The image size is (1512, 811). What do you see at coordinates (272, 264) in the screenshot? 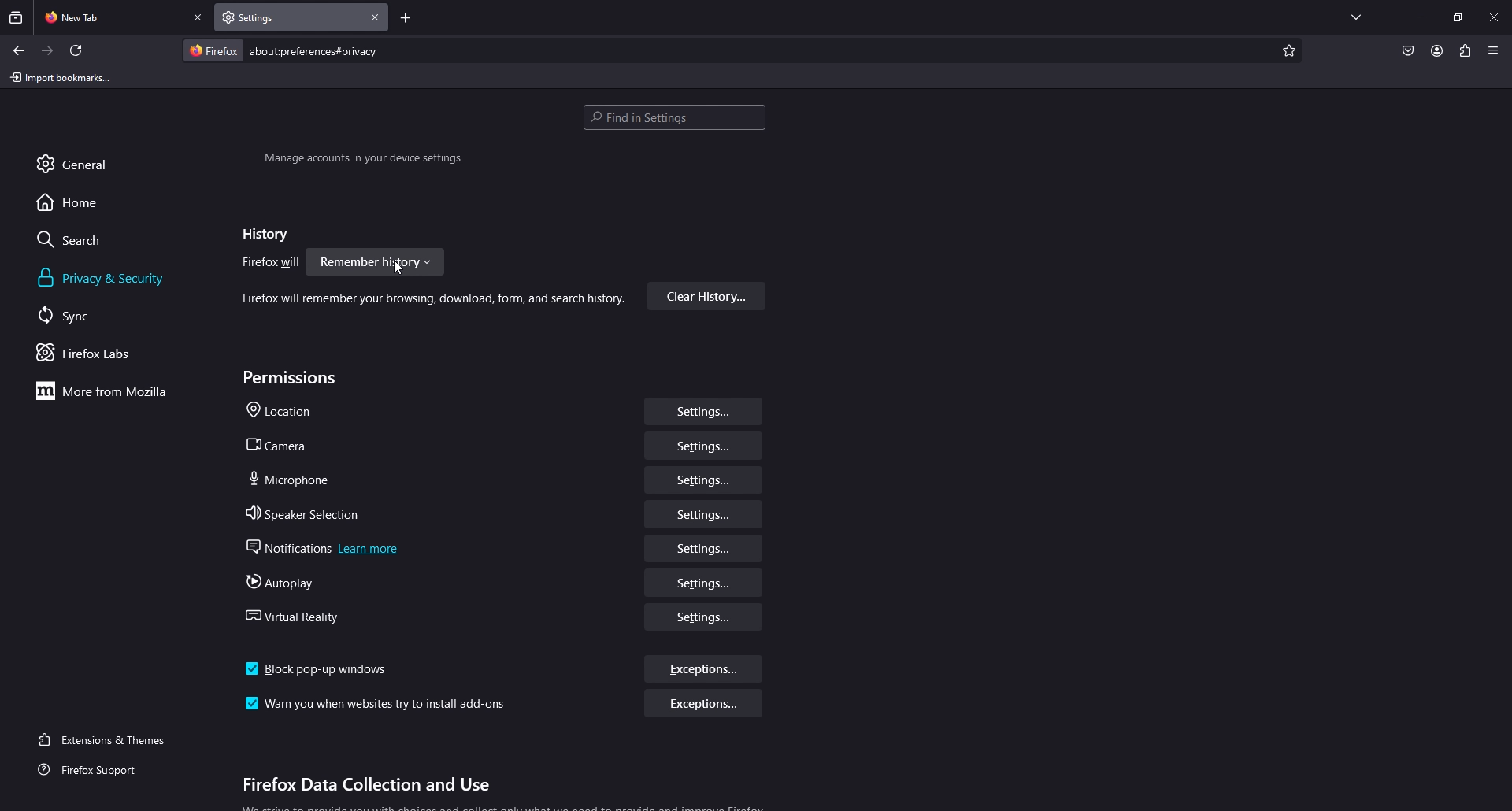
I see `firefox will ` at bounding box center [272, 264].